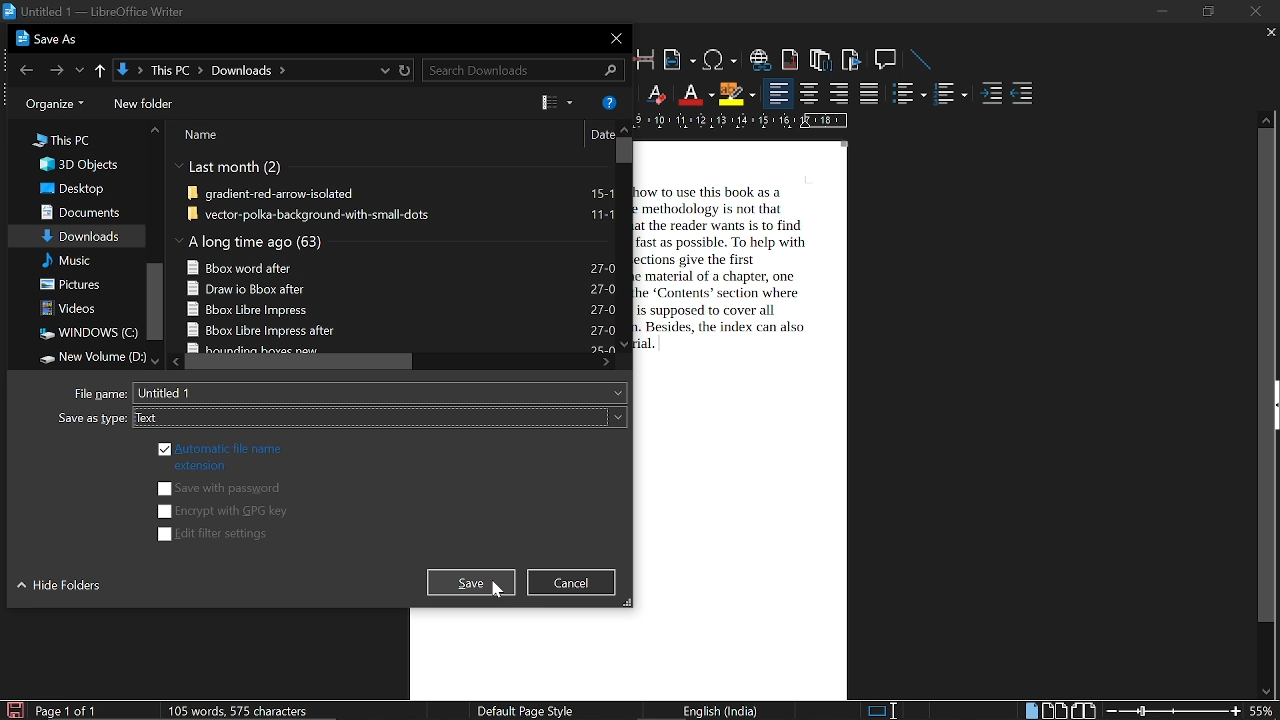 Image resolution: width=1280 pixels, height=720 pixels. Describe the element at coordinates (54, 68) in the screenshot. I see `next` at that location.